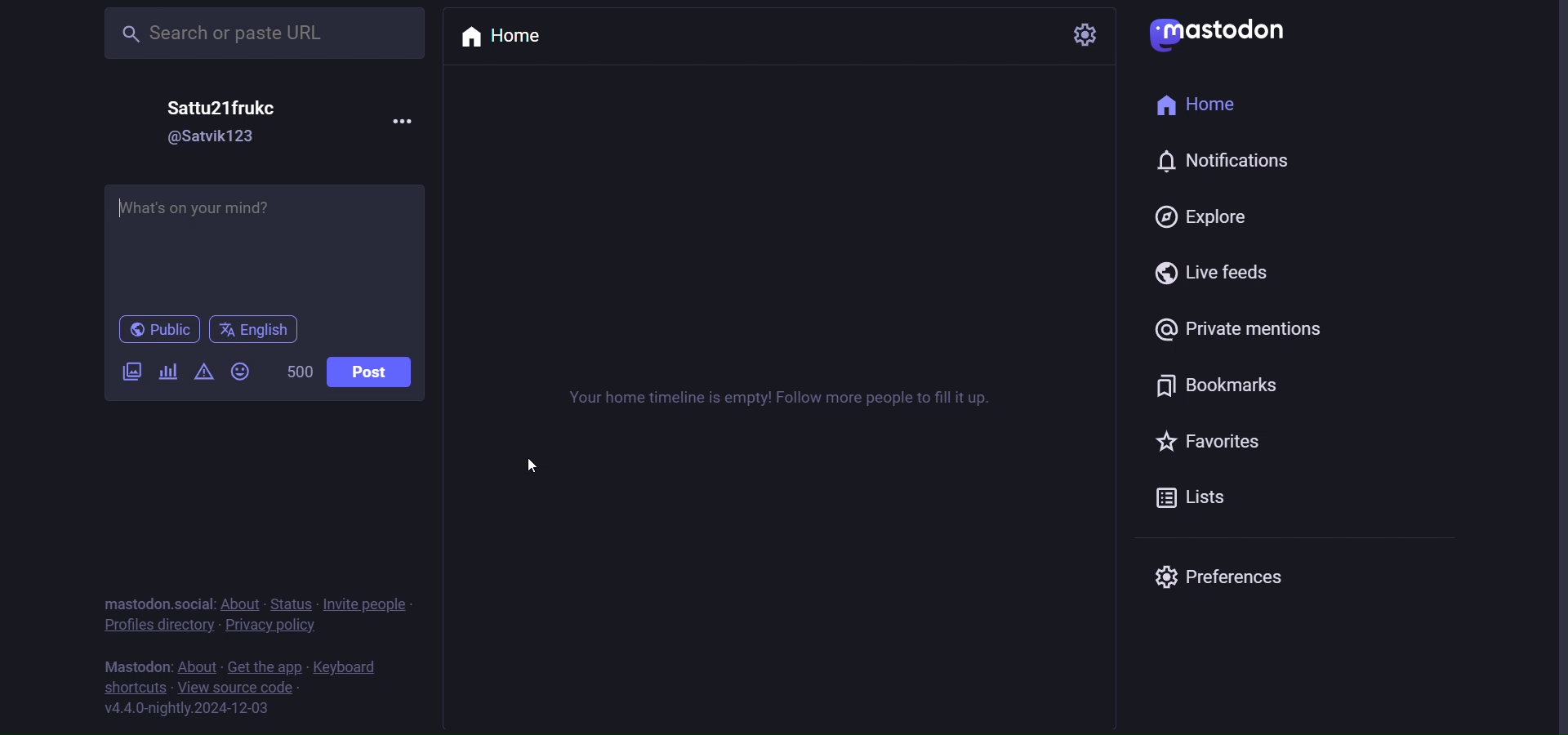  Describe the element at coordinates (157, 627) in the screenshot. I see `profiles` at that location.